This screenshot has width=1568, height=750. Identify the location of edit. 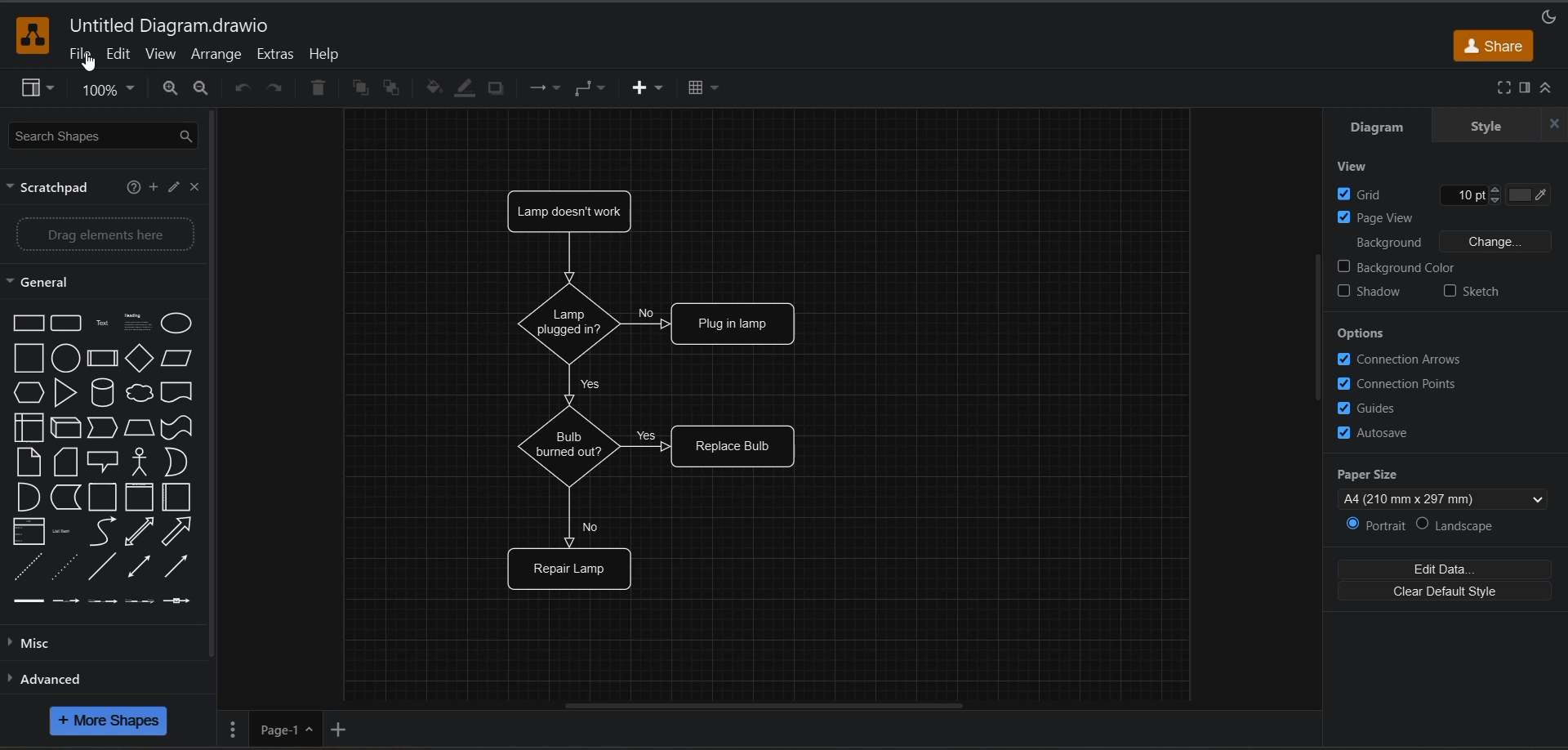
(171, 188).